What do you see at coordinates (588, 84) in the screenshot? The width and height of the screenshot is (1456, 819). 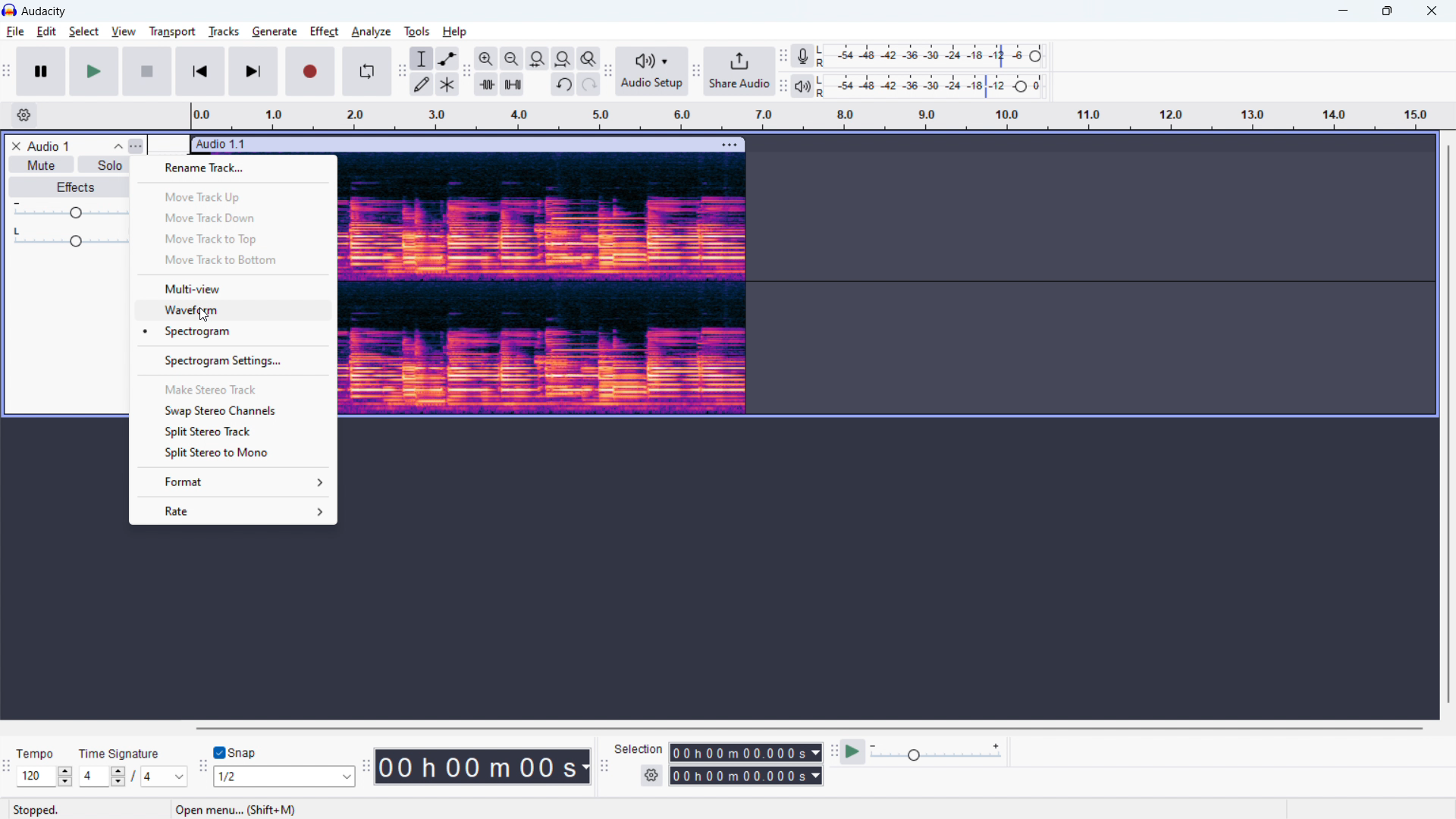 I see `redo` at bounding box center [588, 84].